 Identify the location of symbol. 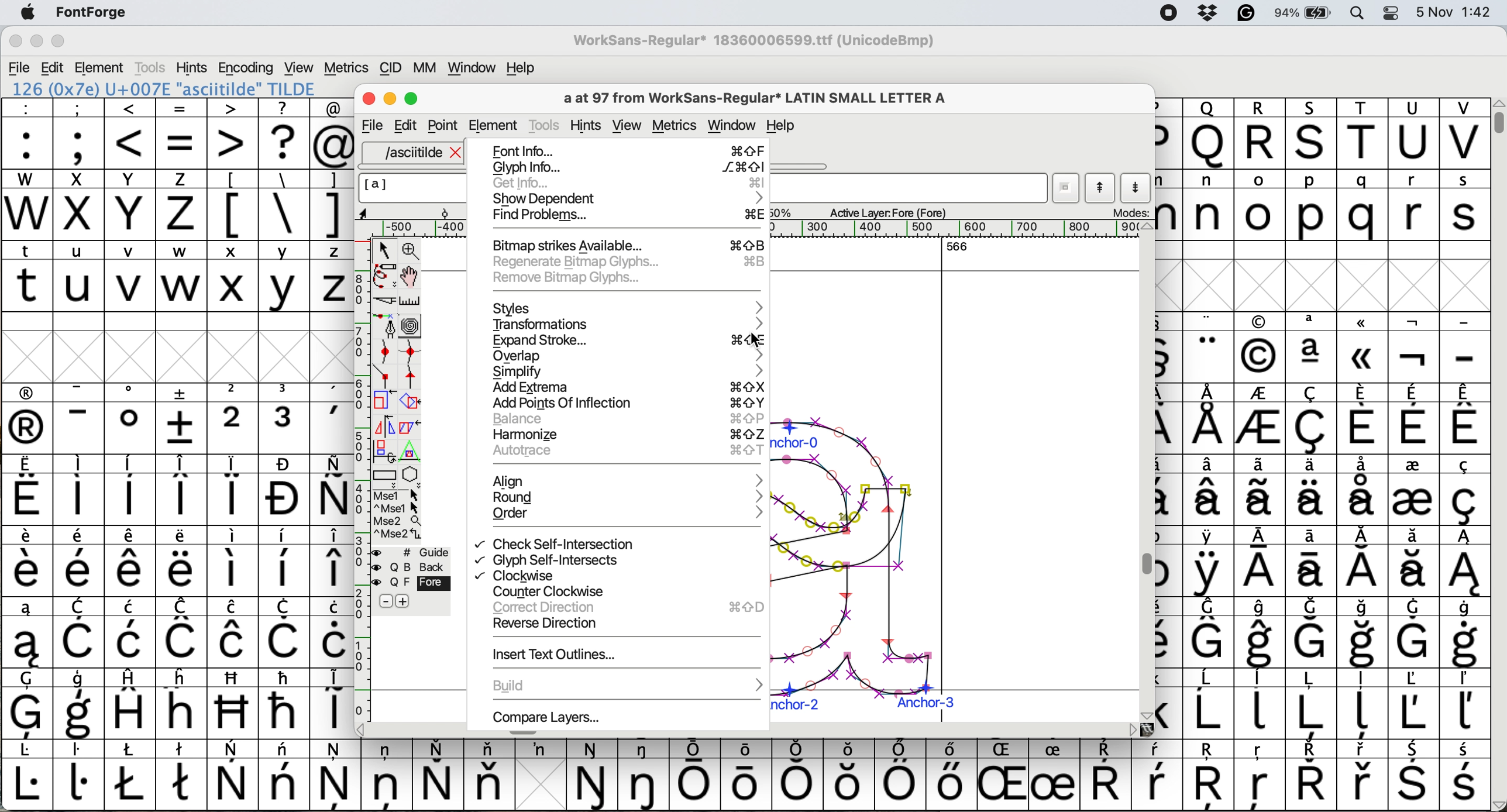
(1364, 776).